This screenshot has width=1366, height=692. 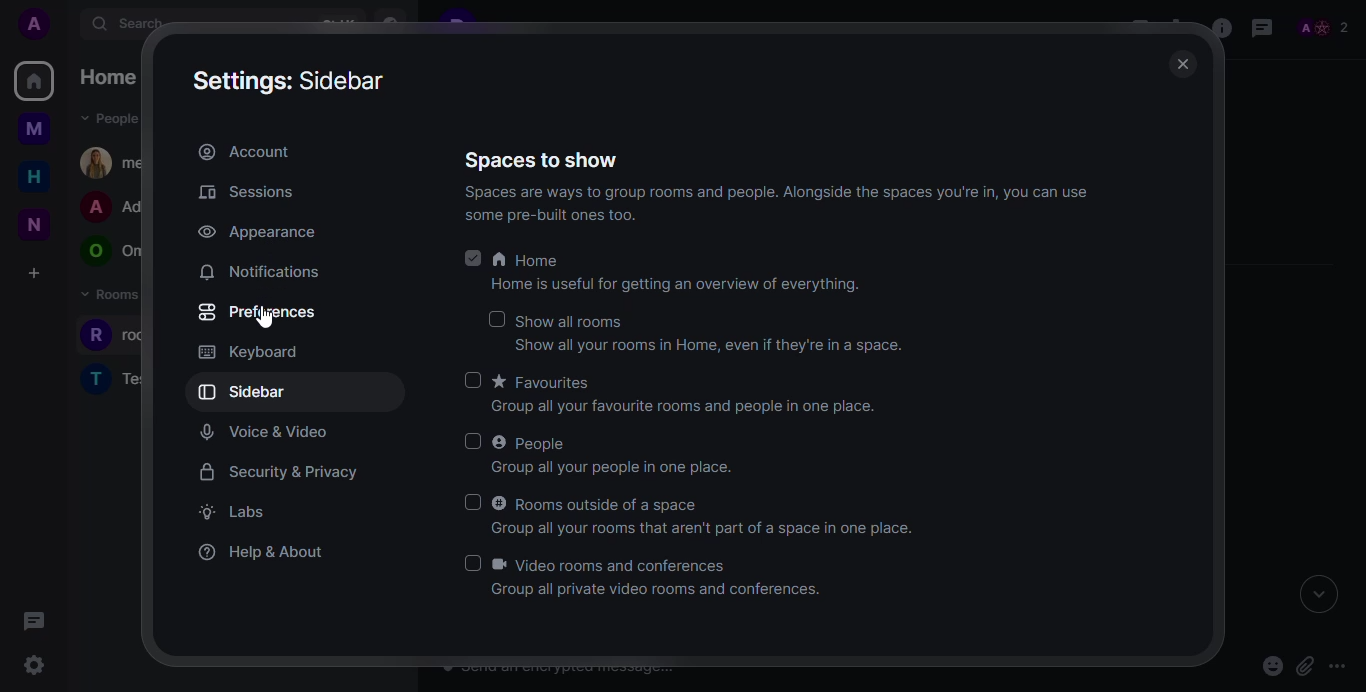 I want to click on security, so click(x=279, y=472).